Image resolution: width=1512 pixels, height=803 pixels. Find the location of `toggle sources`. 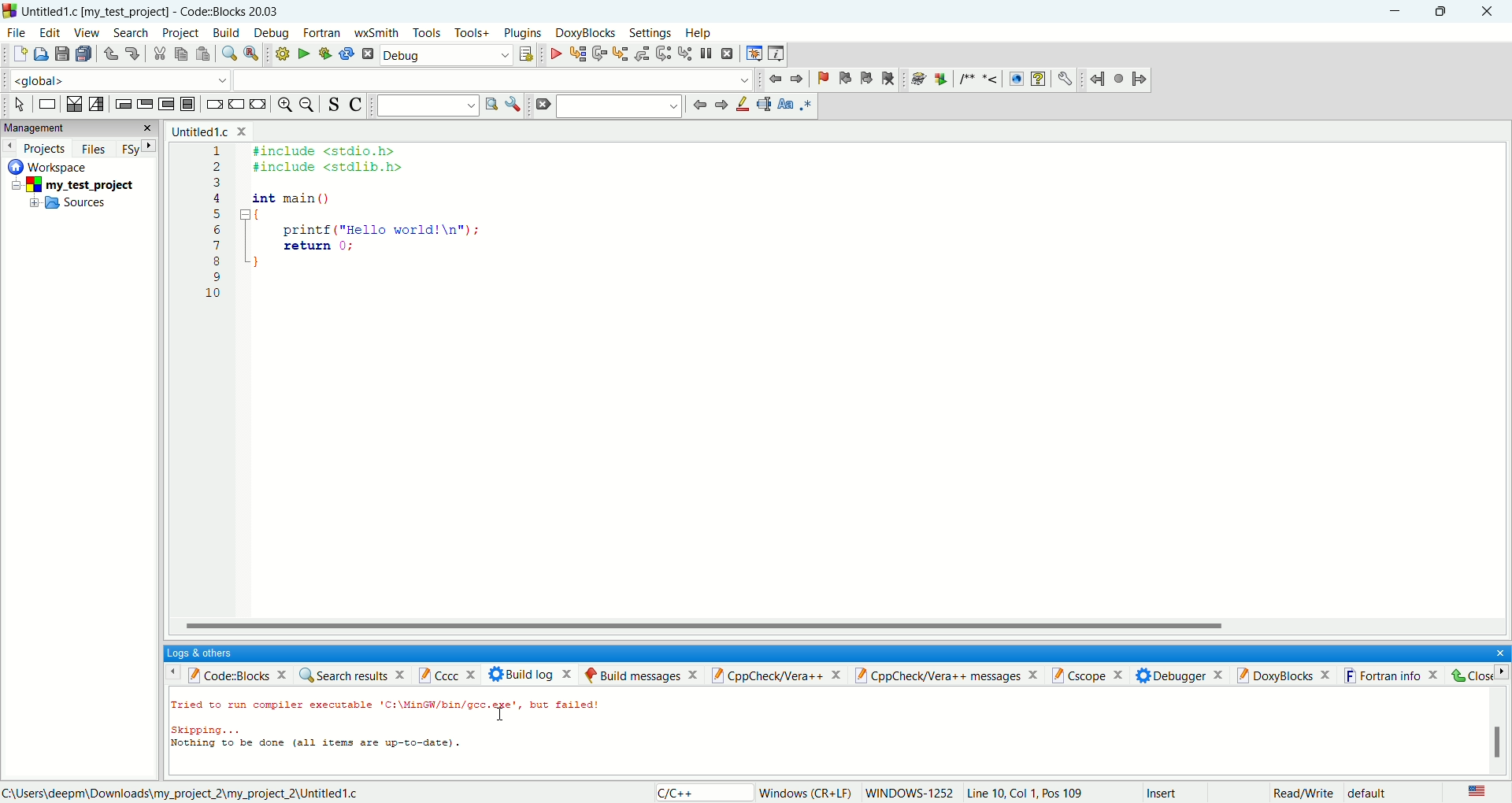

toggle sources is located at coordinates (335, 105).